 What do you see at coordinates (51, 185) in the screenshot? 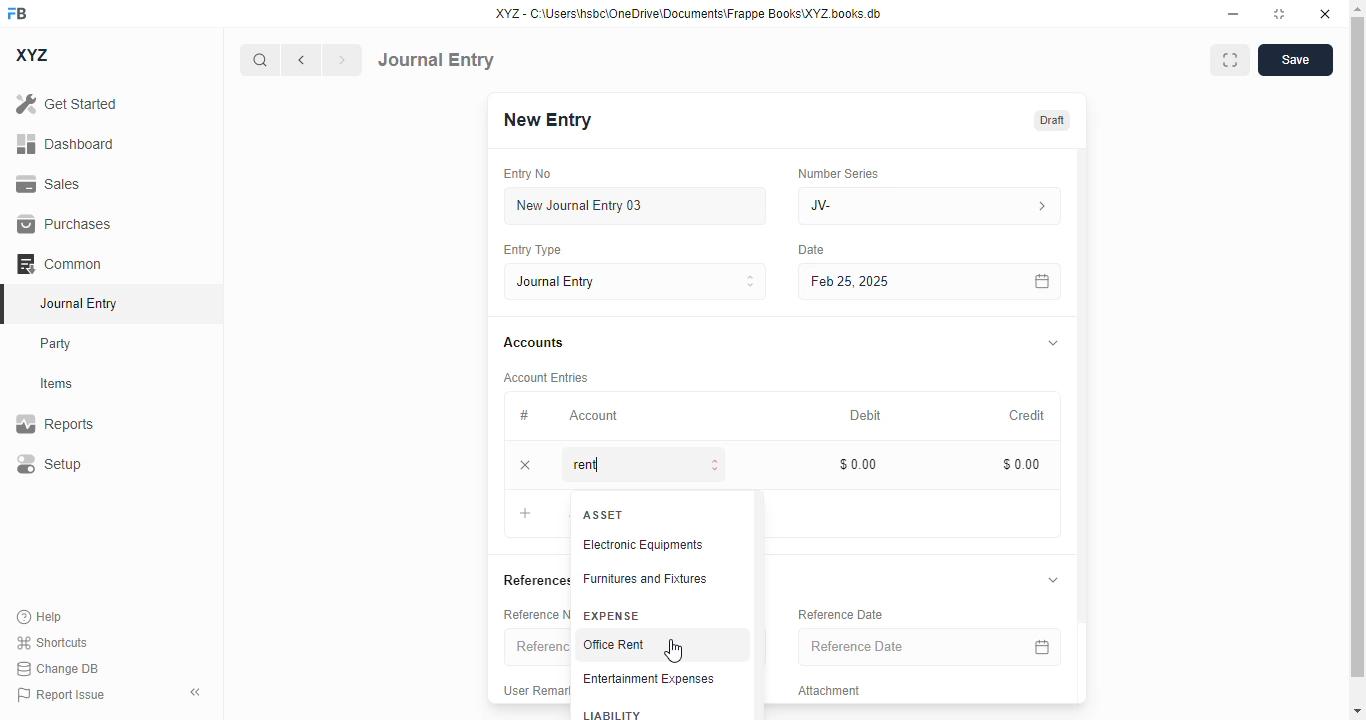
I see `sales` at bounding box center [51, 185].